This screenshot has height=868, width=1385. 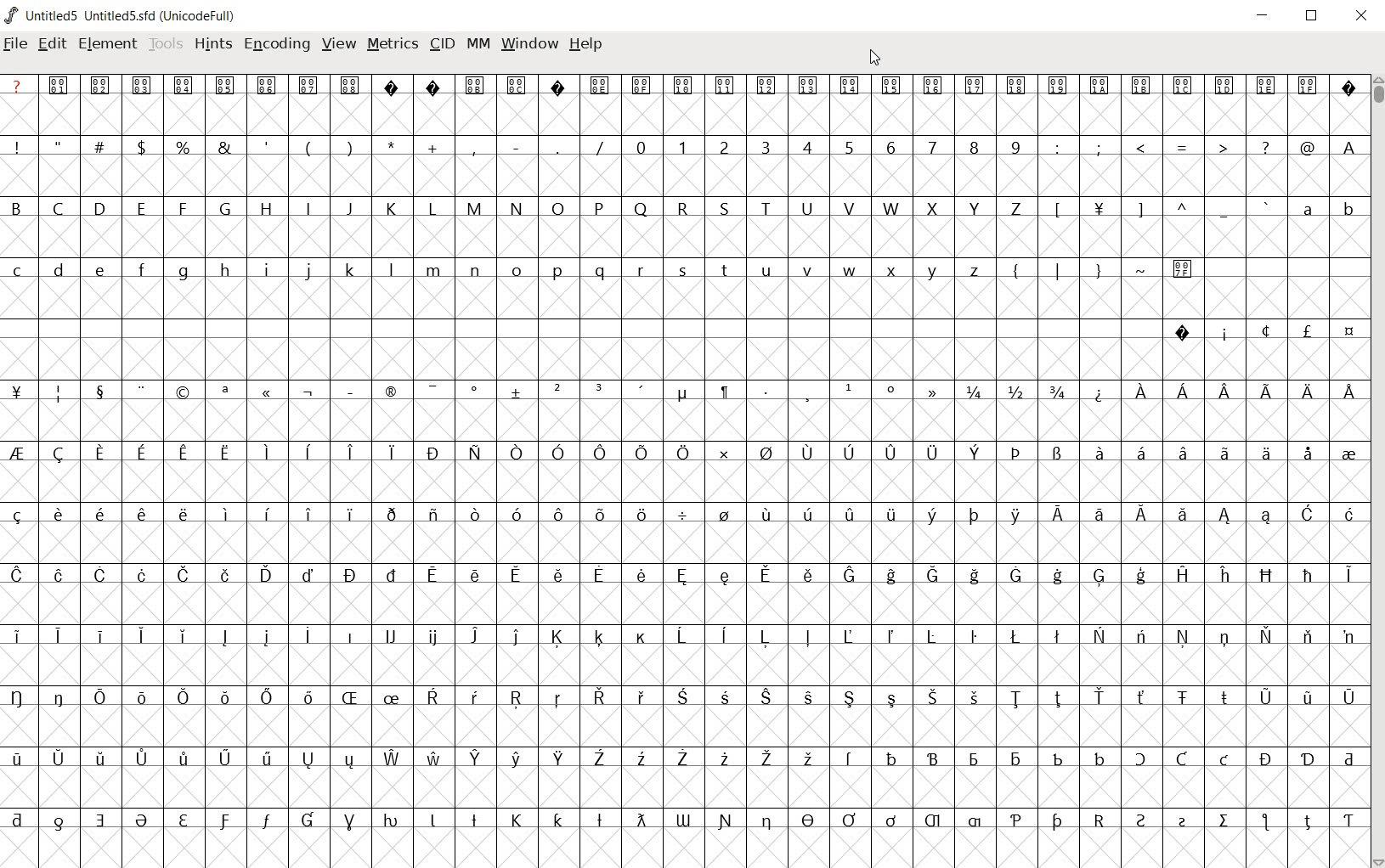 What do you see at coordinates (350, 575) in the screenshot?
I see `Symbol` at bounding box center [350, 575].